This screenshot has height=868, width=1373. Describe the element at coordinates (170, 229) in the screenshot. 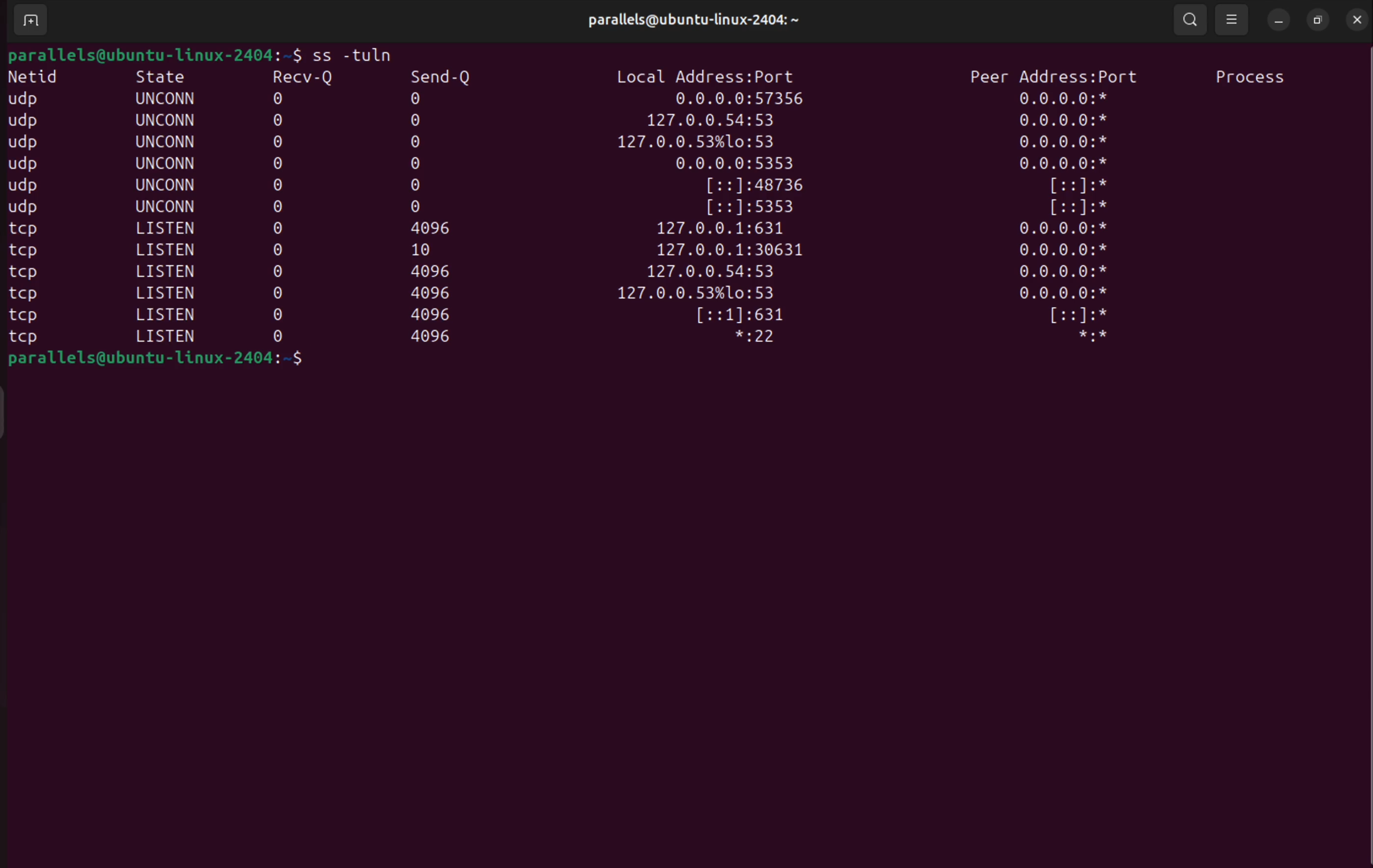

I see `listen` at that location.